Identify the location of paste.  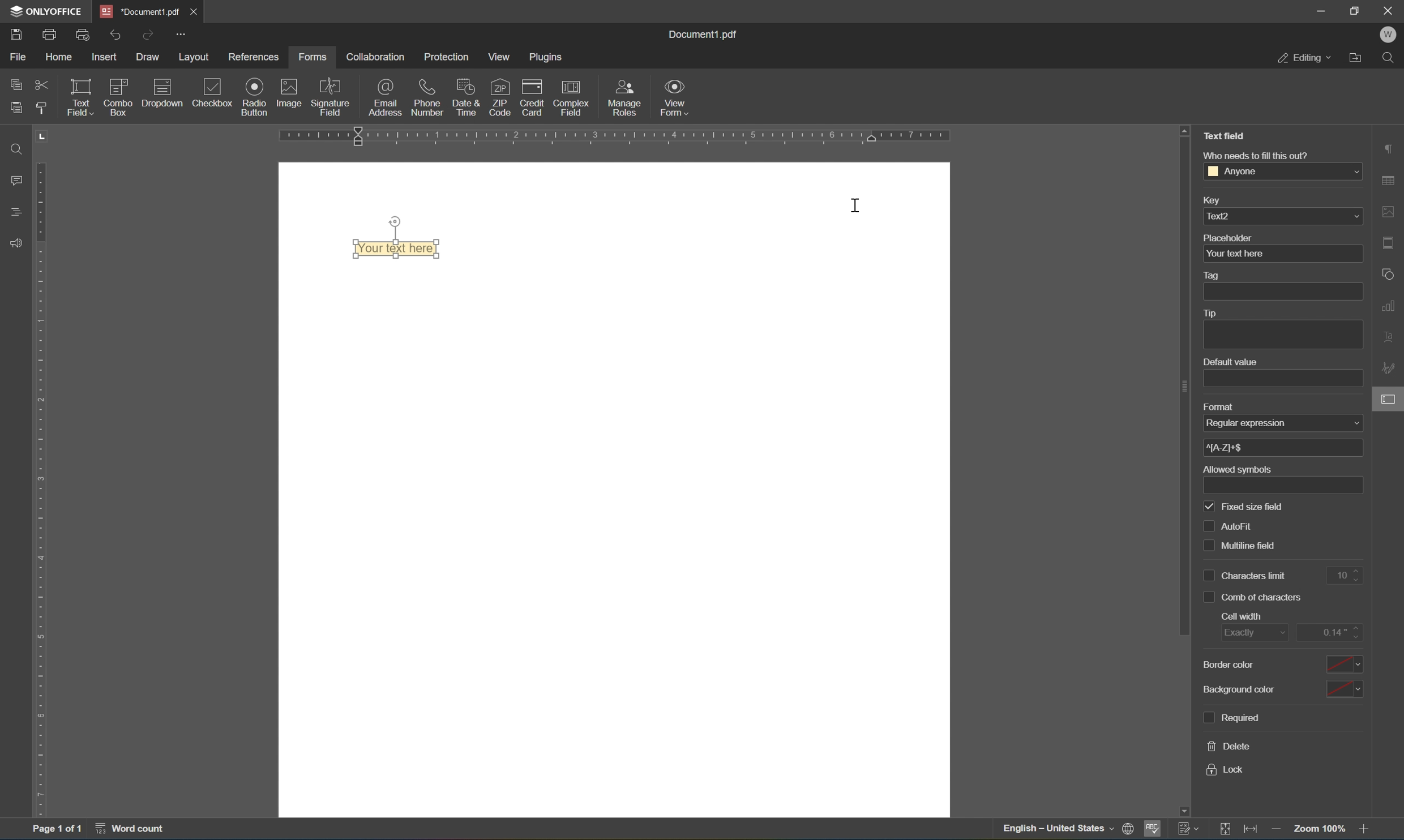
(19, 108).